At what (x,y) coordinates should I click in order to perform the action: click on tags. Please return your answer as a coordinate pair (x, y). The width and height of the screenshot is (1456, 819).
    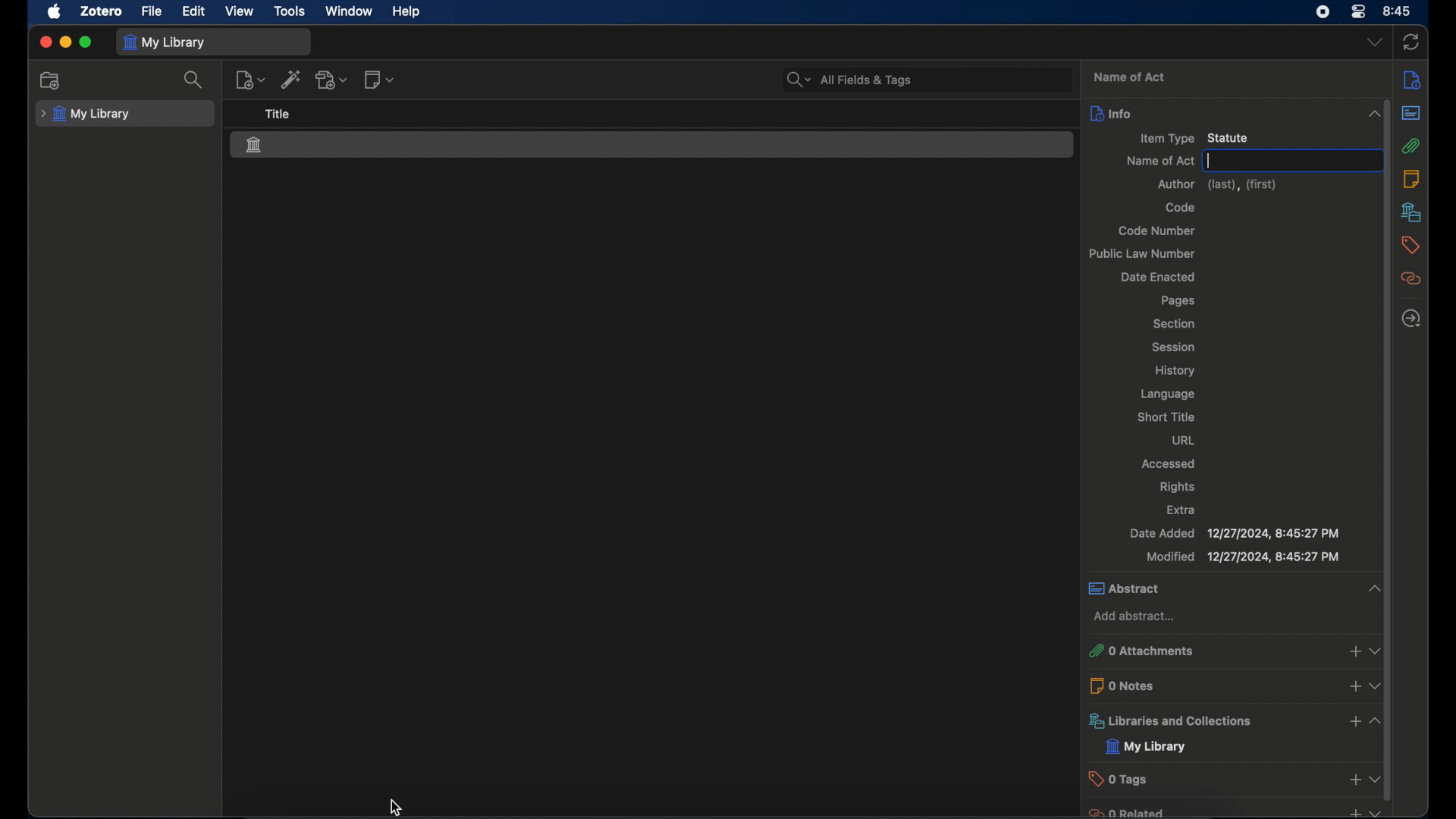
    Looking at the image, I should click on (1410, 245).